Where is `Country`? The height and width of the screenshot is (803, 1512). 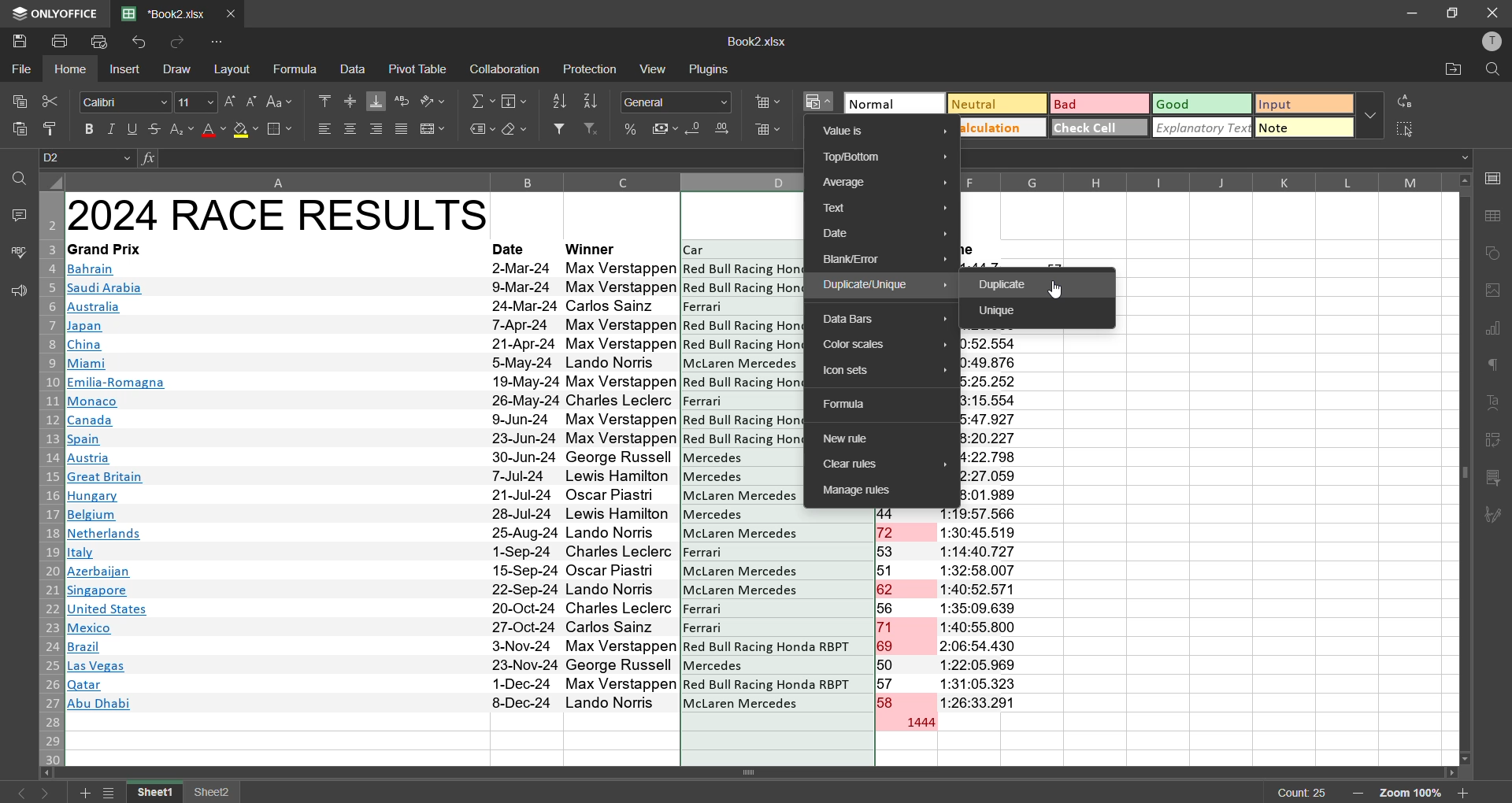 Country is located at coordinates (117, 489).